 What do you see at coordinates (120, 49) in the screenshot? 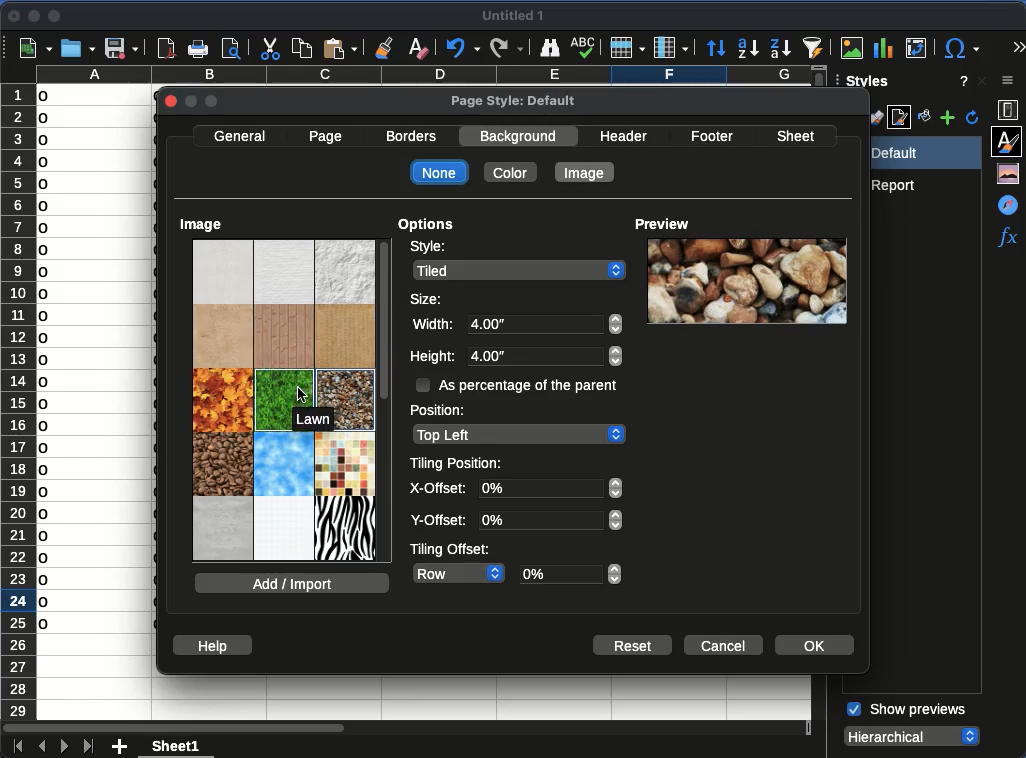
I see `save` at bounding box center [120, 49].